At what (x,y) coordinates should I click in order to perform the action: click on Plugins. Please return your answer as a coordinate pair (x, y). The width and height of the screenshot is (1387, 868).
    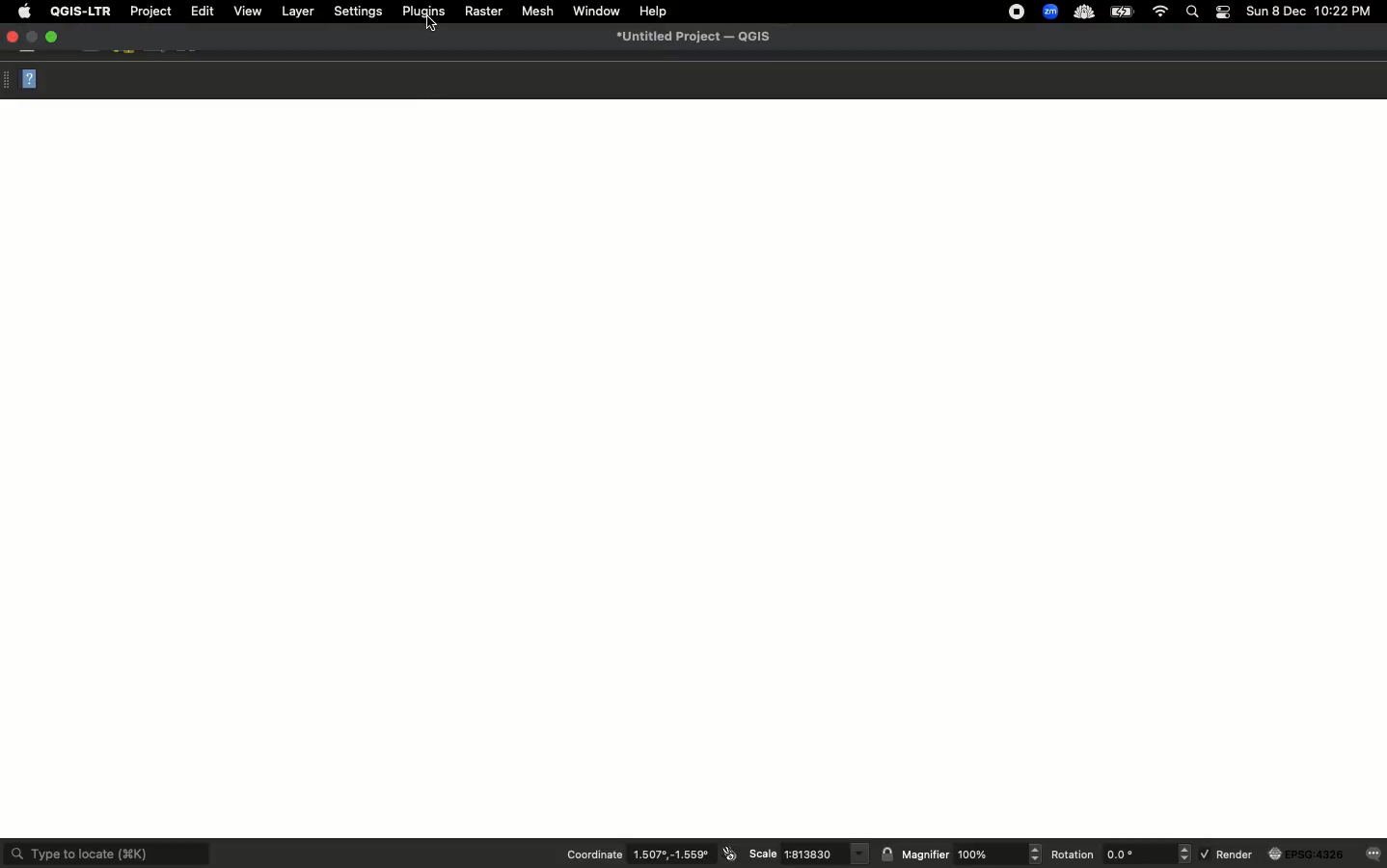
    Looking at the image, I should click on (421, 12).